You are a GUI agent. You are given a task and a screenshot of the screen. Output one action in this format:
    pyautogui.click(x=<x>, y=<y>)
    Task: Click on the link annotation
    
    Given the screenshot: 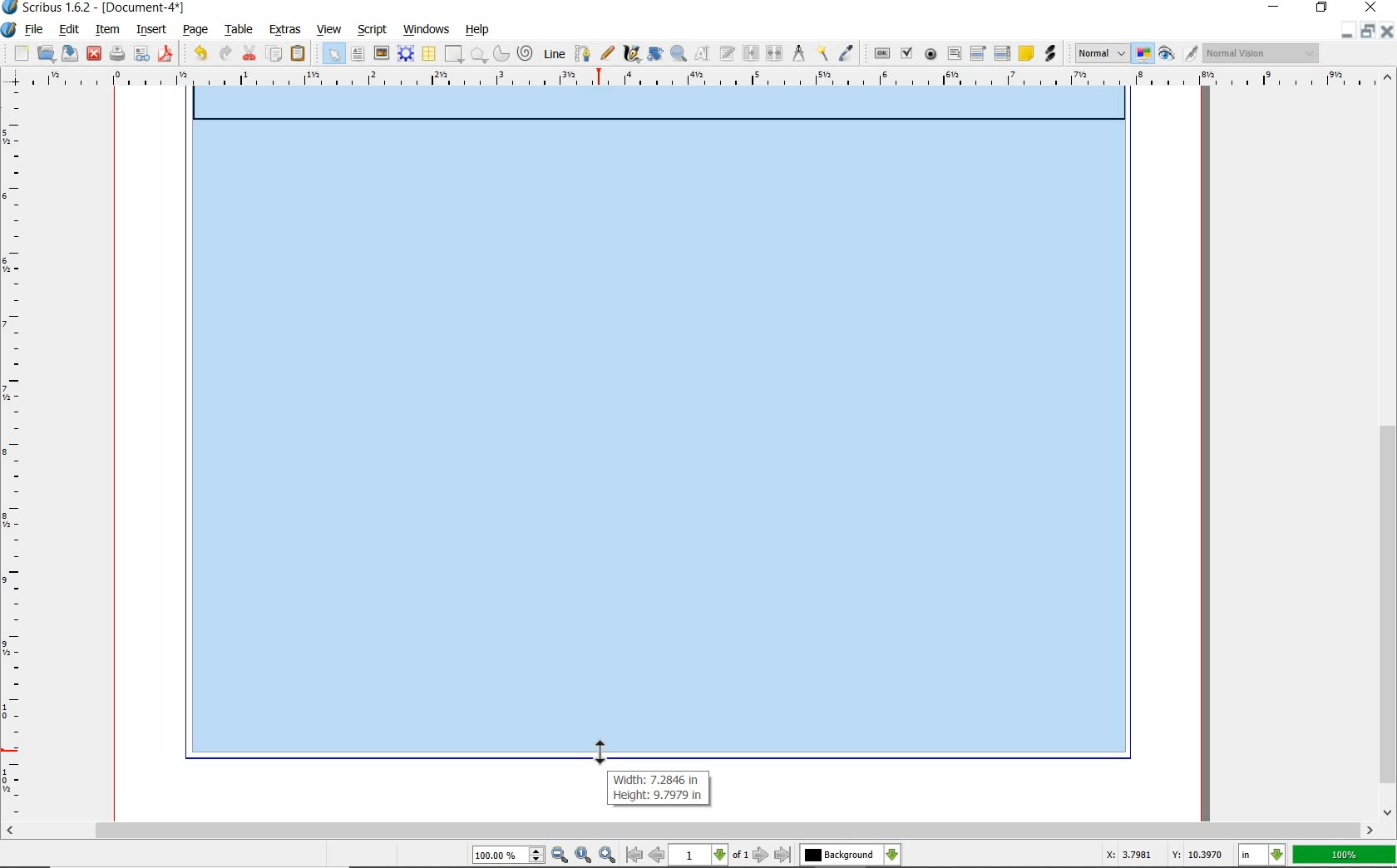 What is the action you would take?
    pyautogui.click(x=1049, y=55)
    